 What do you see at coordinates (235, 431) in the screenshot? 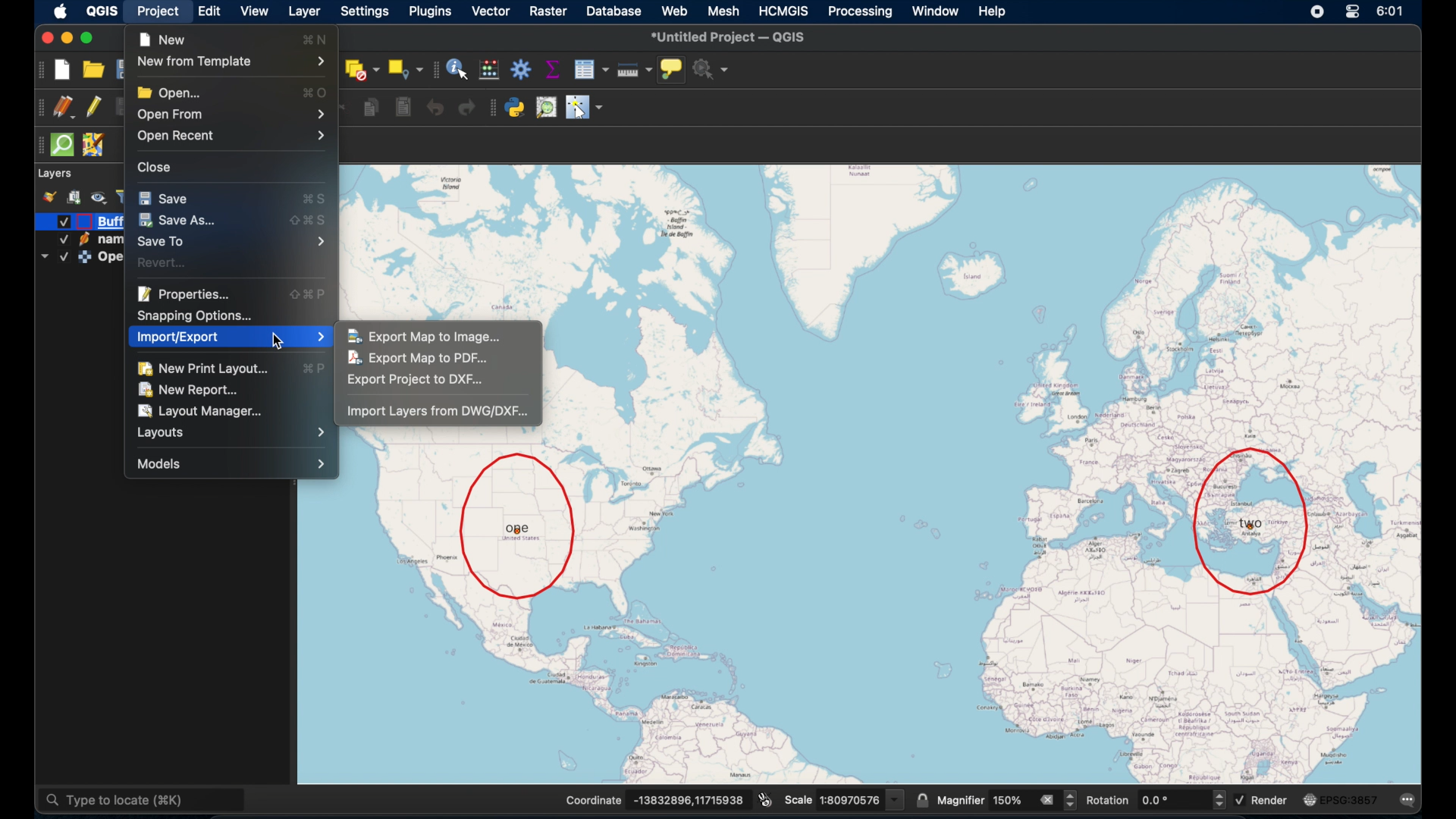
I see `layouts` at bounding box center [235, 431].